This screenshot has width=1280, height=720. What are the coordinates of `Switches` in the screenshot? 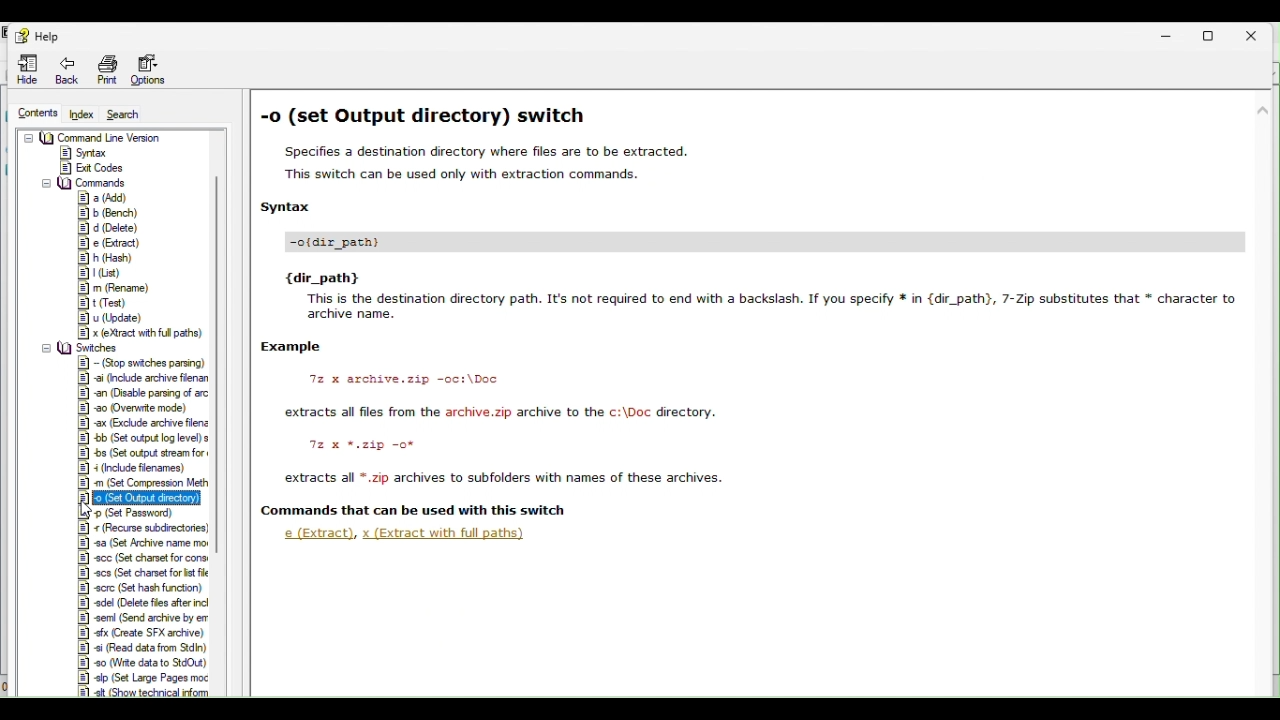 It's located at (85, 348).